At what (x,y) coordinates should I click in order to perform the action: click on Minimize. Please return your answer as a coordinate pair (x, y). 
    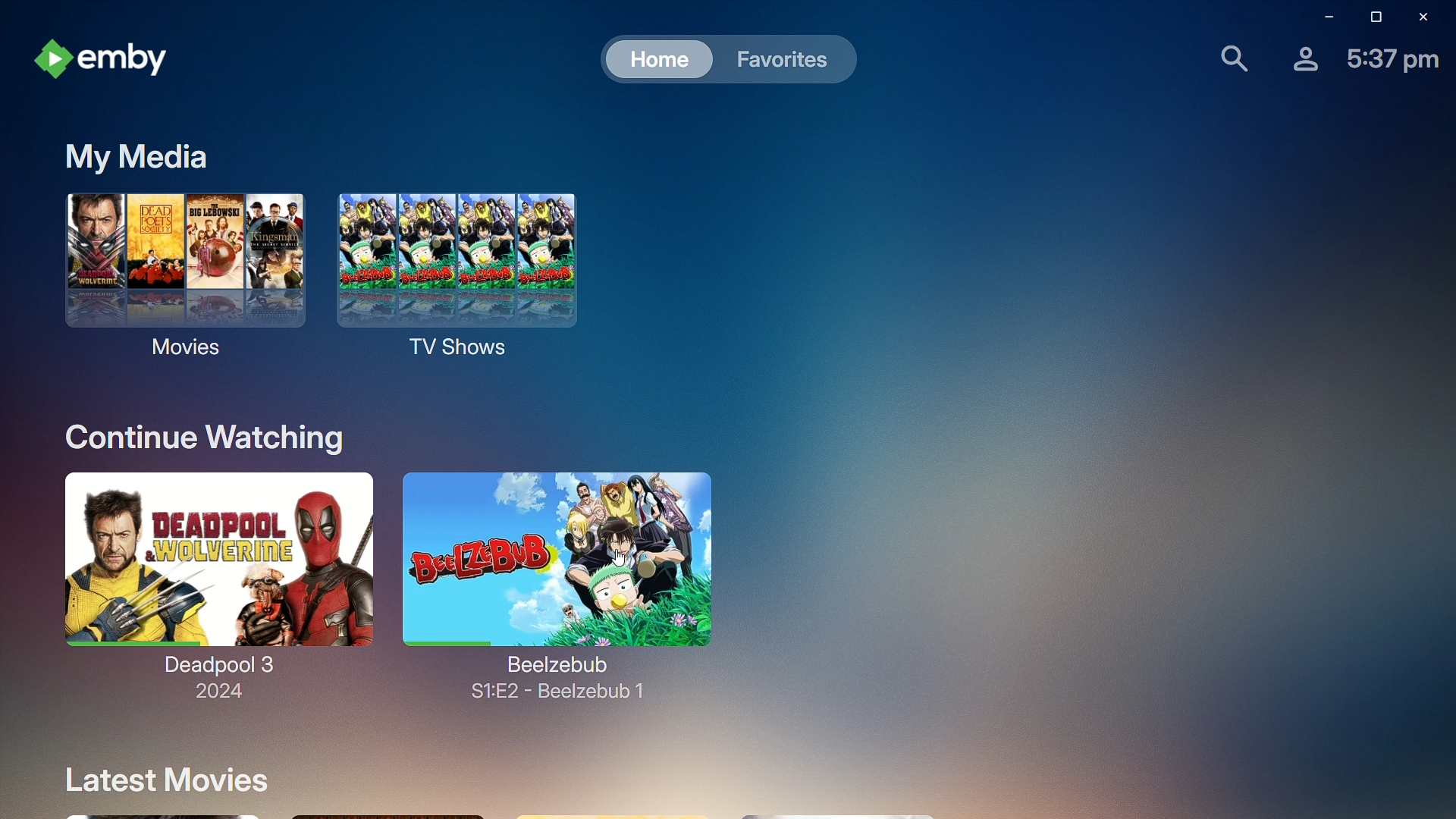
    Looking at the image, I should click on (1318, 17).